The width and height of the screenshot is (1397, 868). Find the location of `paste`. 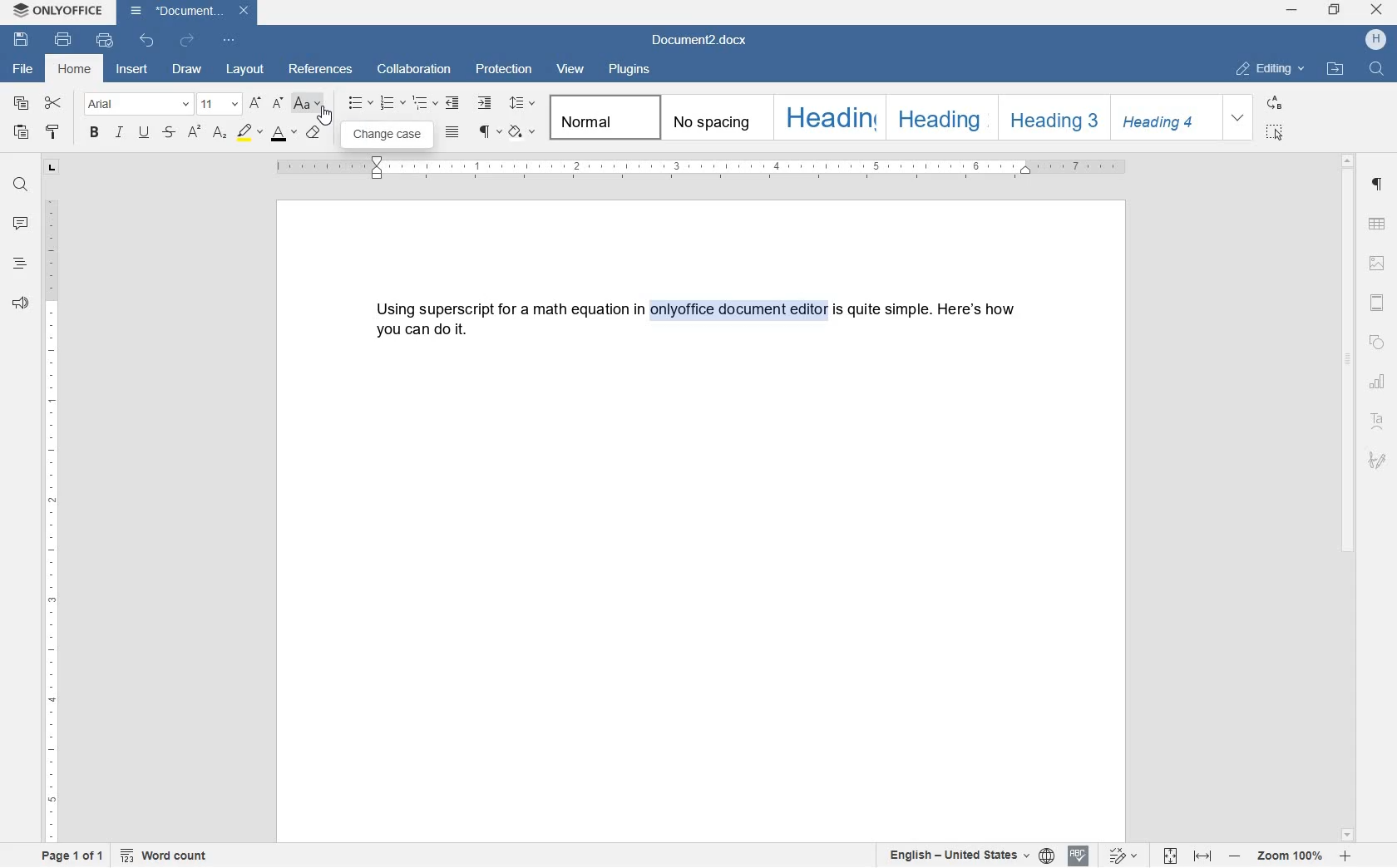

paste is located at coordinates (21, 133).